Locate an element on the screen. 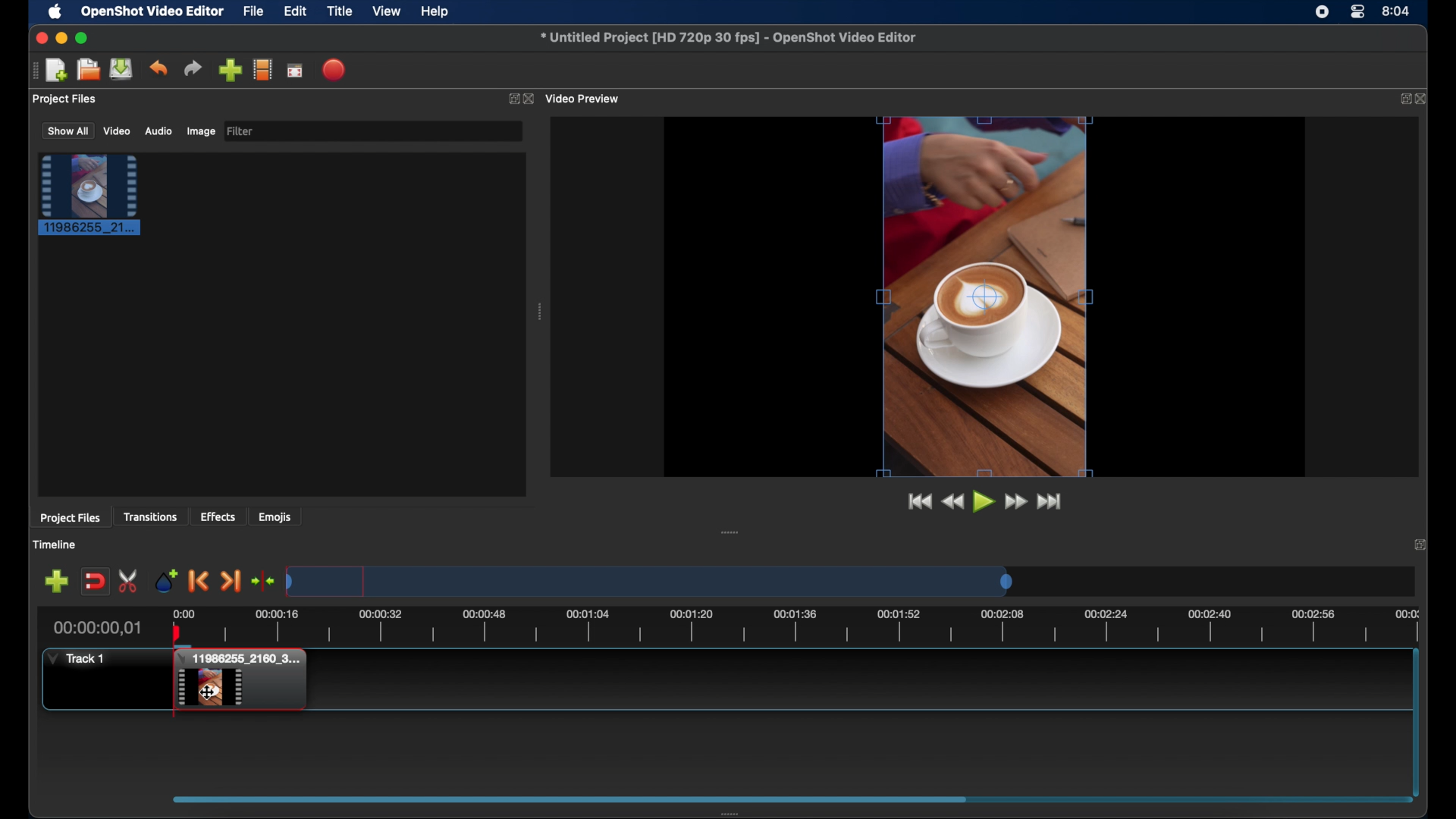 This screenshot has height=819, width=1456. expand is located at coordinates (1401, 99).